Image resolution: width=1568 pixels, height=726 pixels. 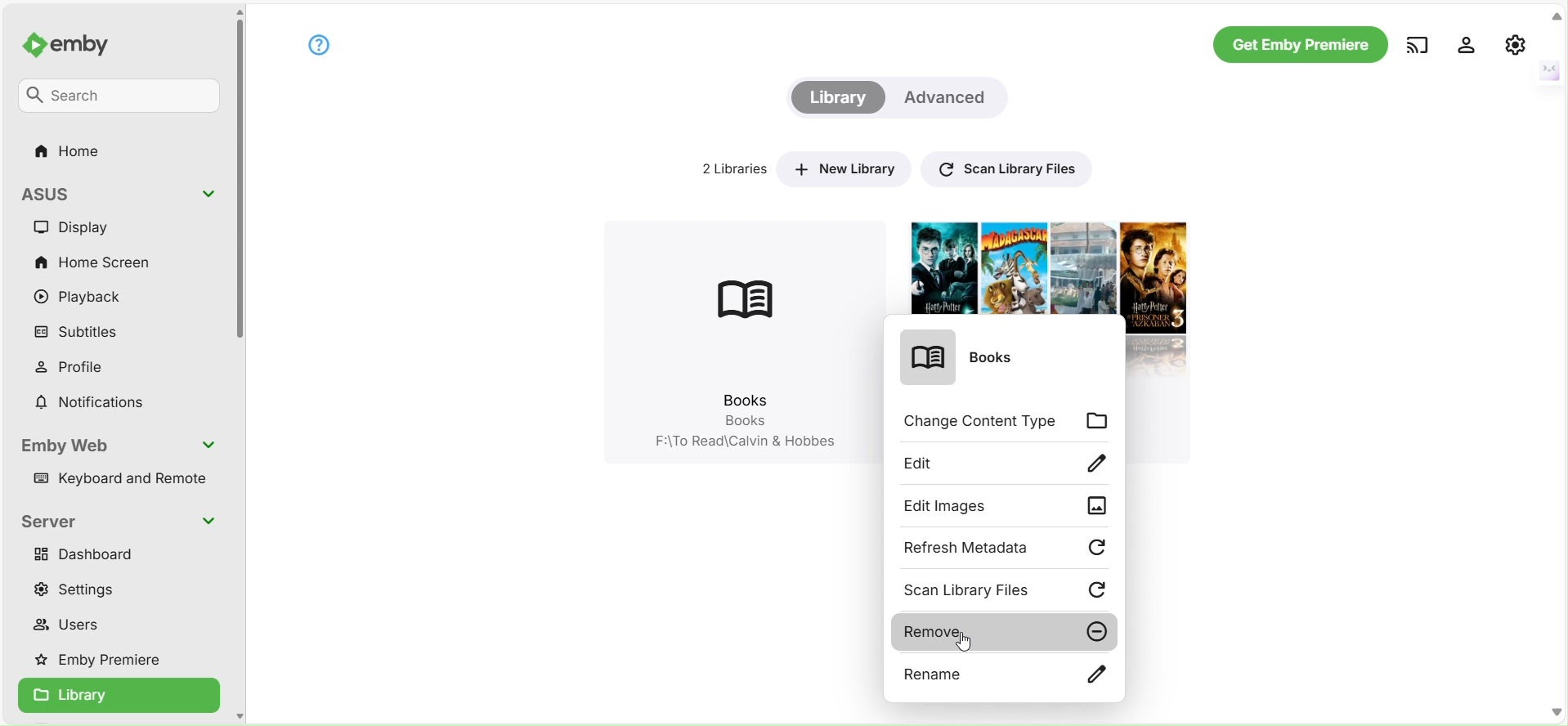 What do you see at coordinates (119, 697) in the screenshot?
I see `Library View in Open` at bounding box center [119, 697].